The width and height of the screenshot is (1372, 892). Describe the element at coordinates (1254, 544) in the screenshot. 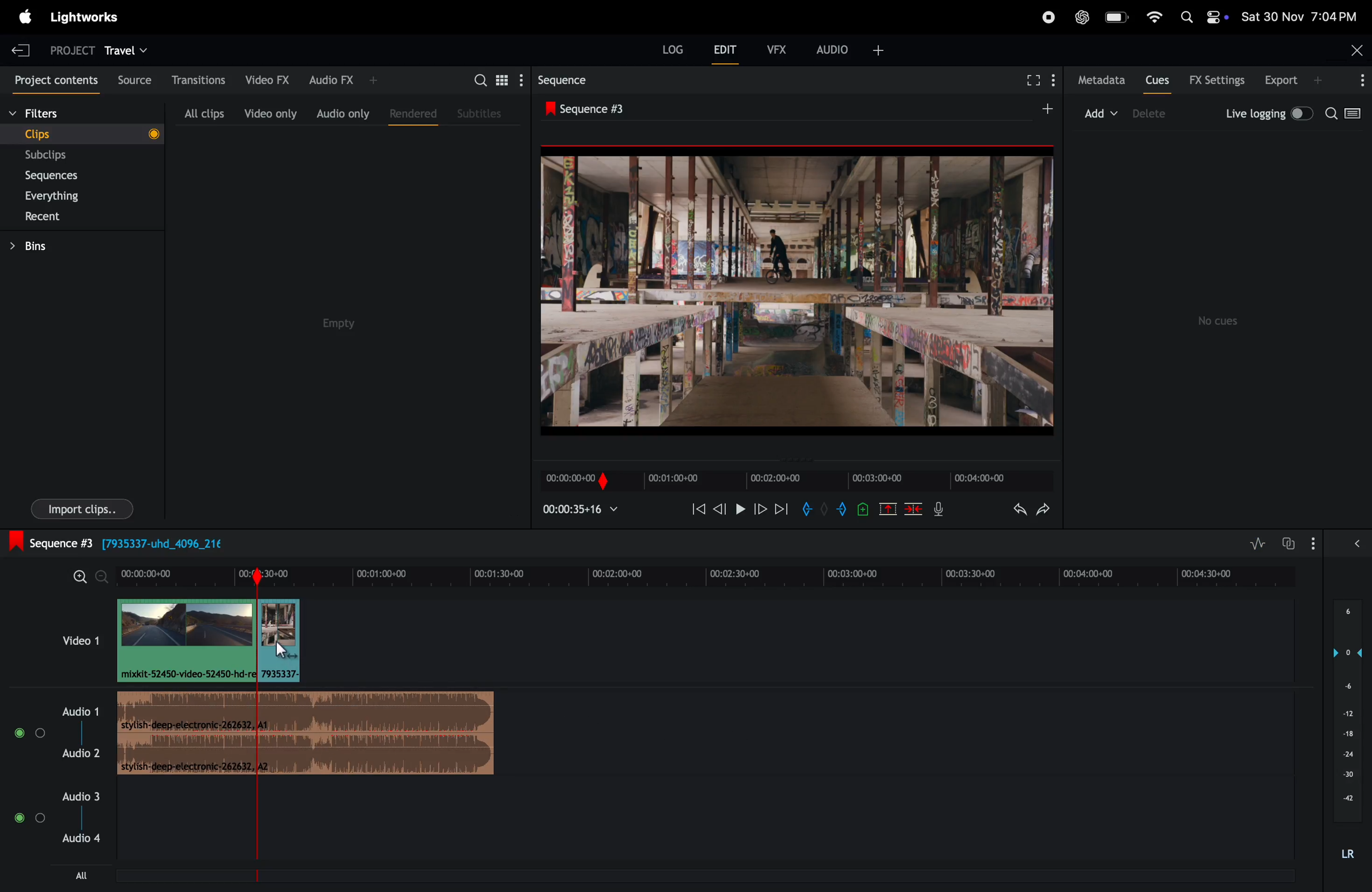

I see `toggle audio editing levels` at that location.